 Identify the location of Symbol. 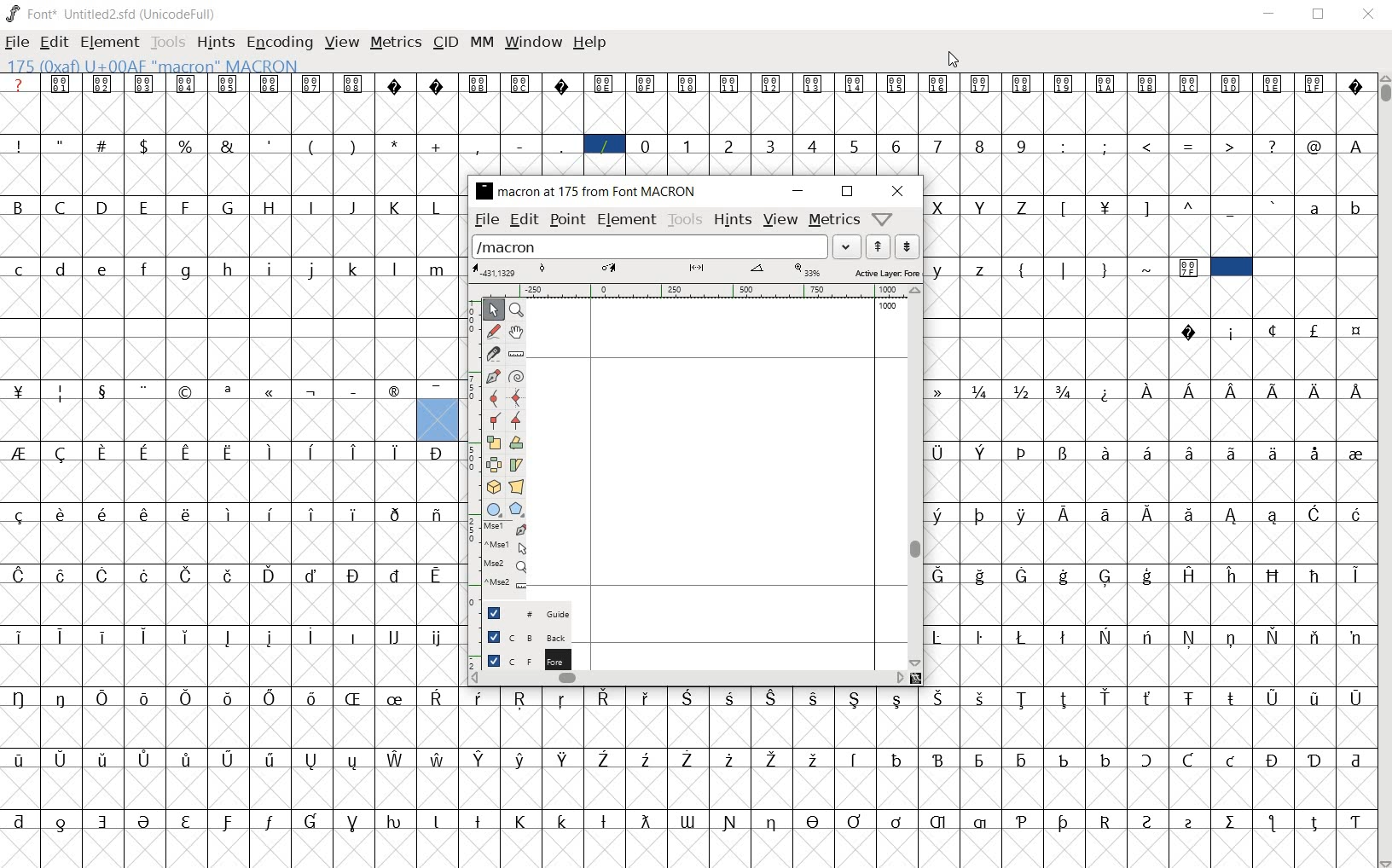
(983, 391).